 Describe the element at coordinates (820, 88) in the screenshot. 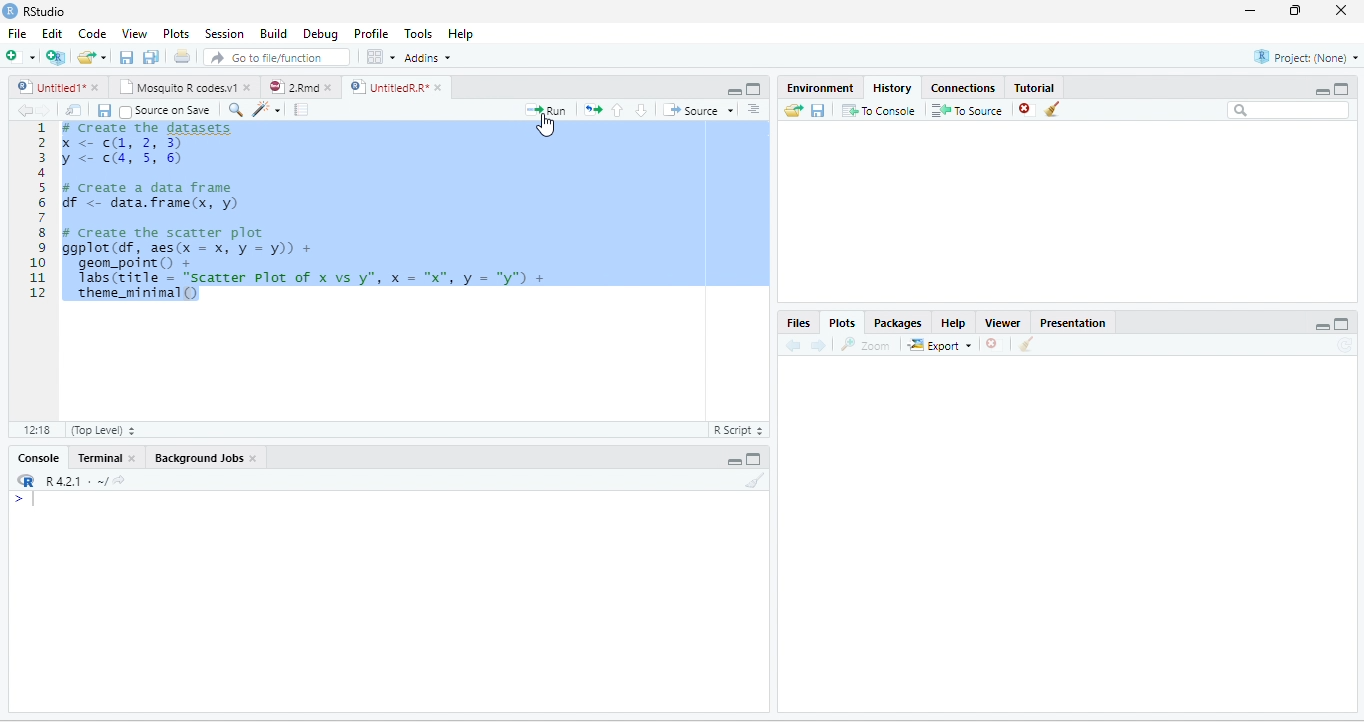

I see `Environment` at that location.